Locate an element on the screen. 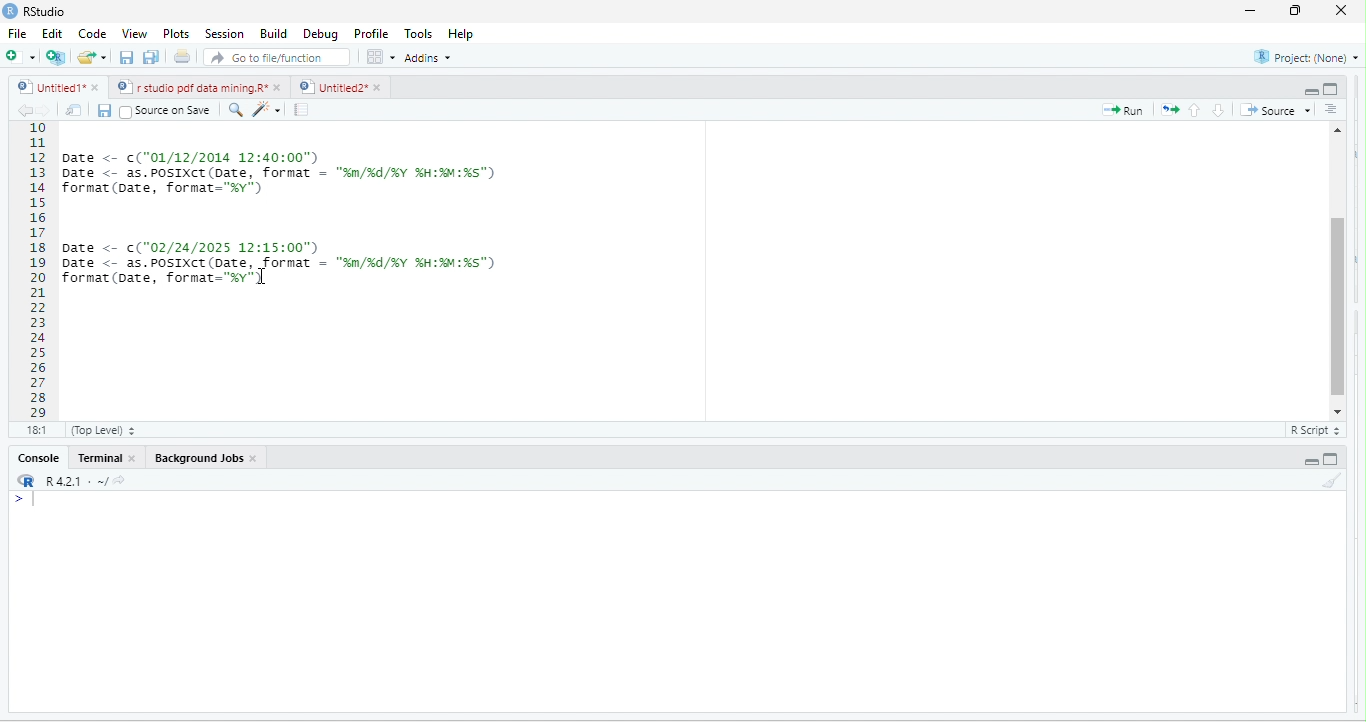 This screenshot has height=722, width=1366. Console is located at coordinates (38, 459).